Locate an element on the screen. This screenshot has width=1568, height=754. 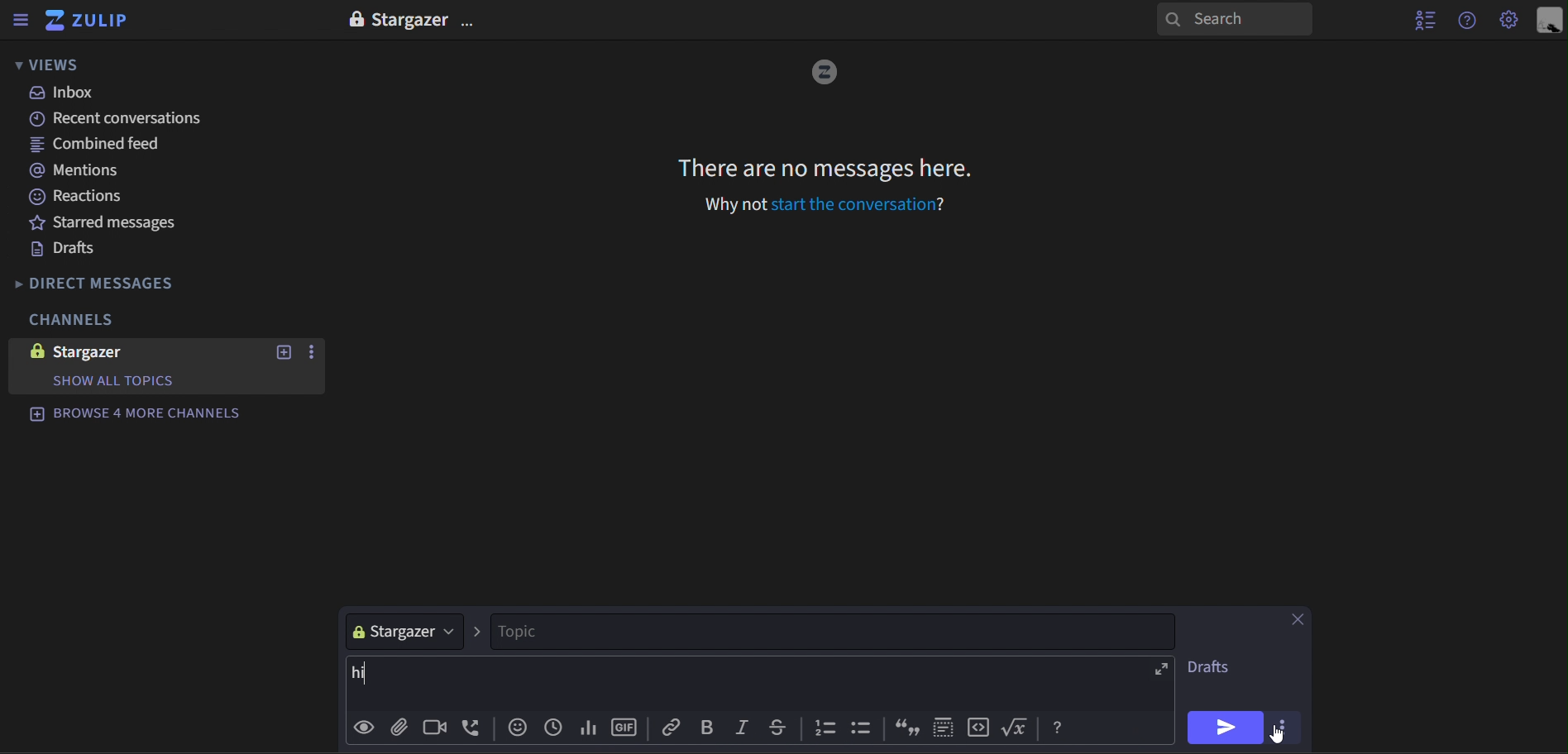
options is located at coordinates (1283, 729).